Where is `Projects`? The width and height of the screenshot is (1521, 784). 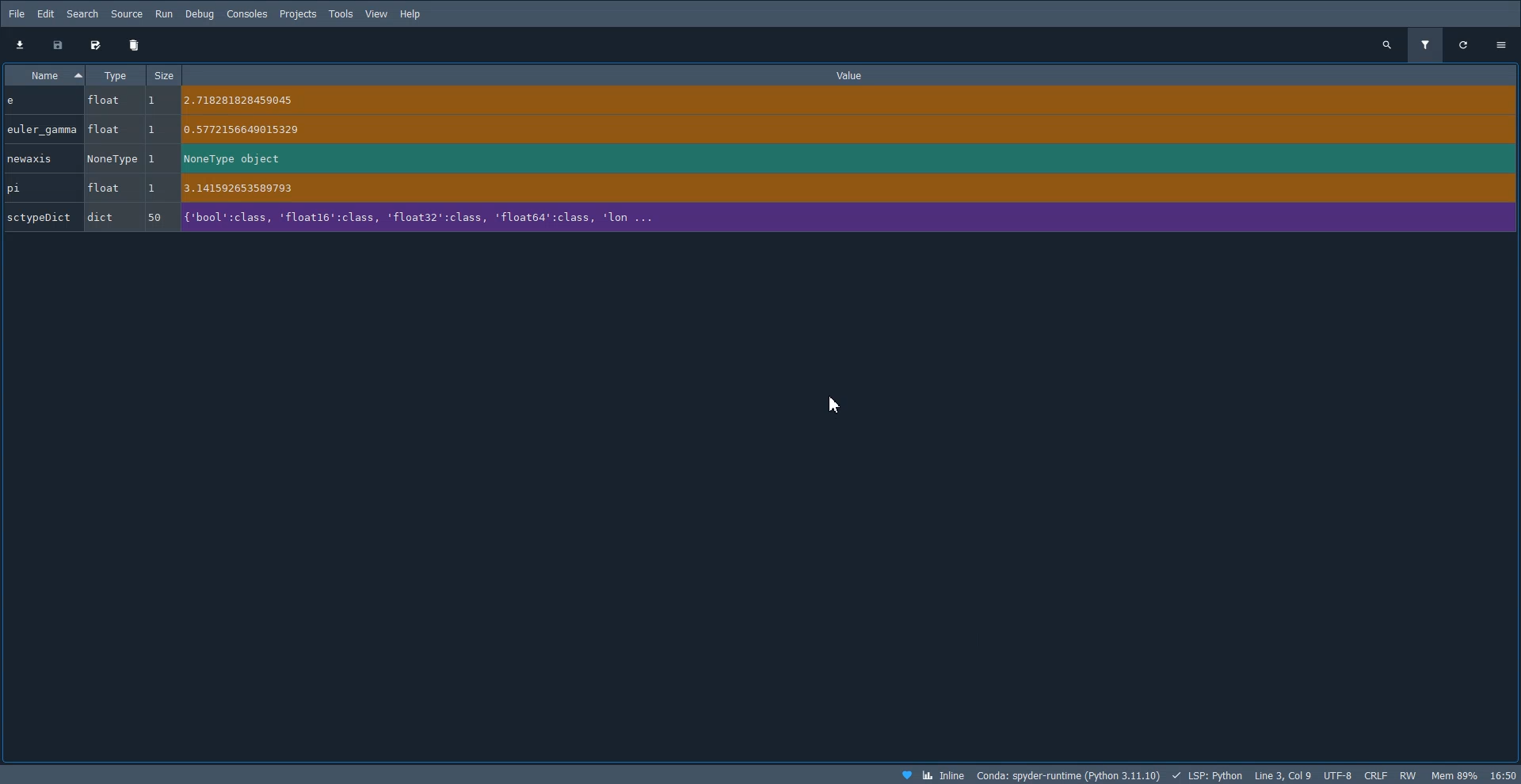 Projects is located at coordinates (298, 13).